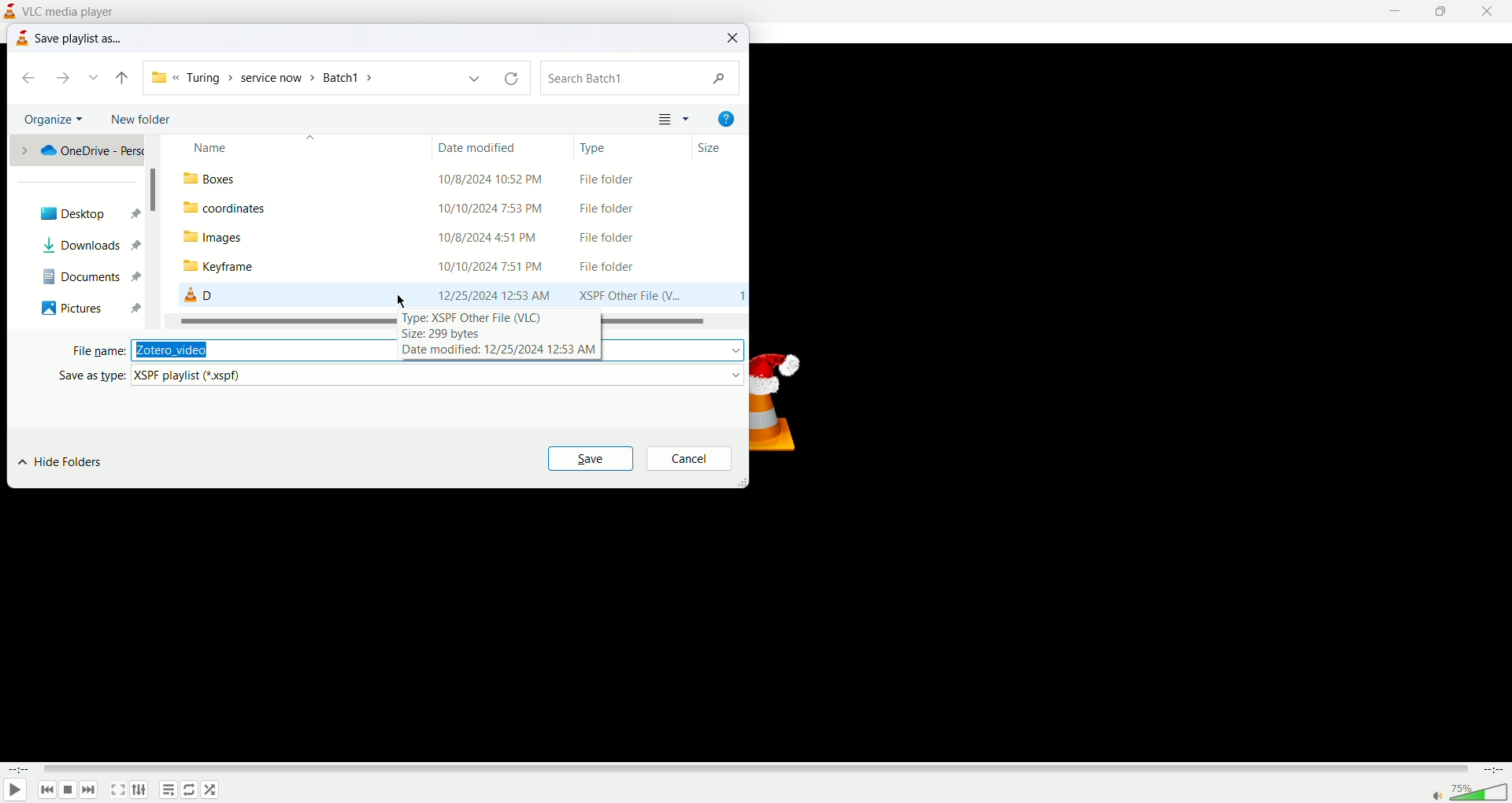  What do you see at coordinates (157, 230) in the screenshot?
I see `vertical scroll bar` at bounding box center [157, 230].